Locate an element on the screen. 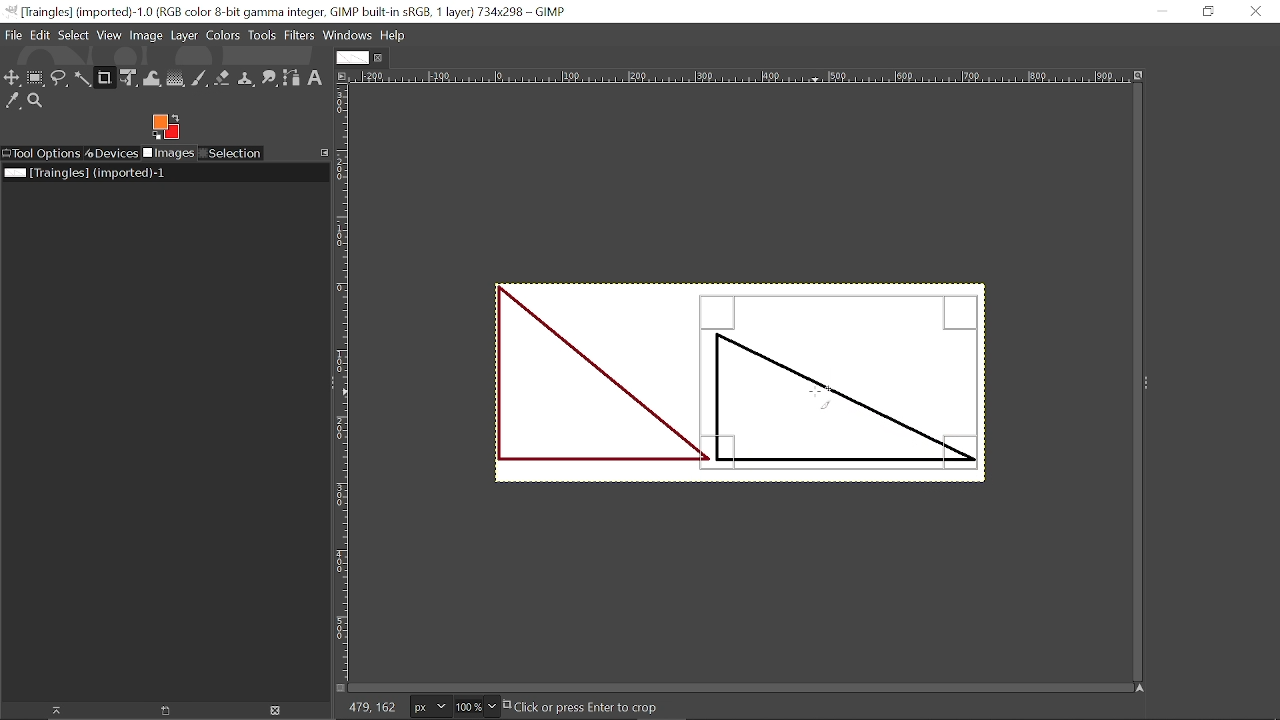 This screenshot has height=720, width=1280. Paintbrush tool is located at coordinates (199, 79).